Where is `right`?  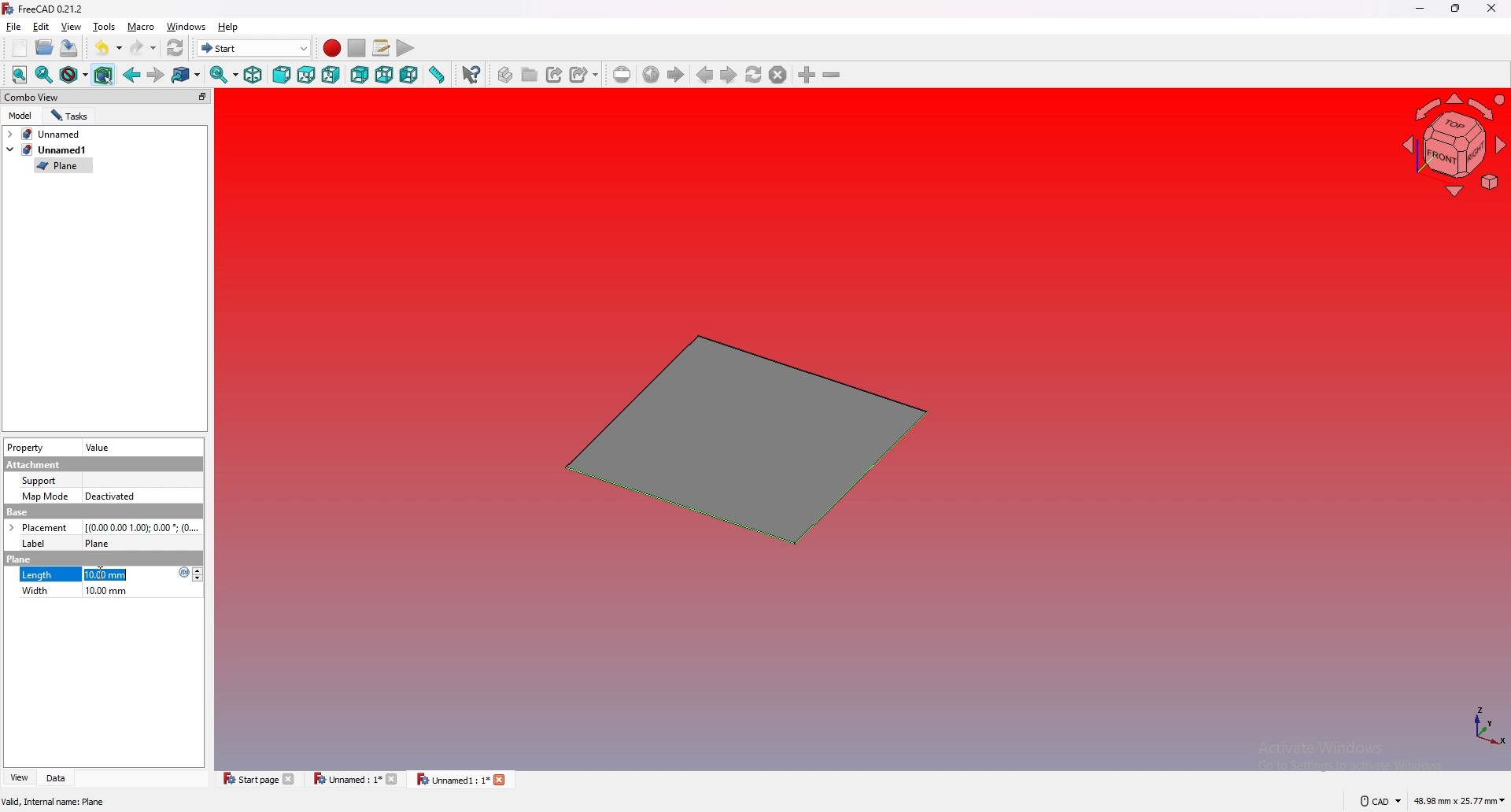 right is located at coordinates (331, 75).